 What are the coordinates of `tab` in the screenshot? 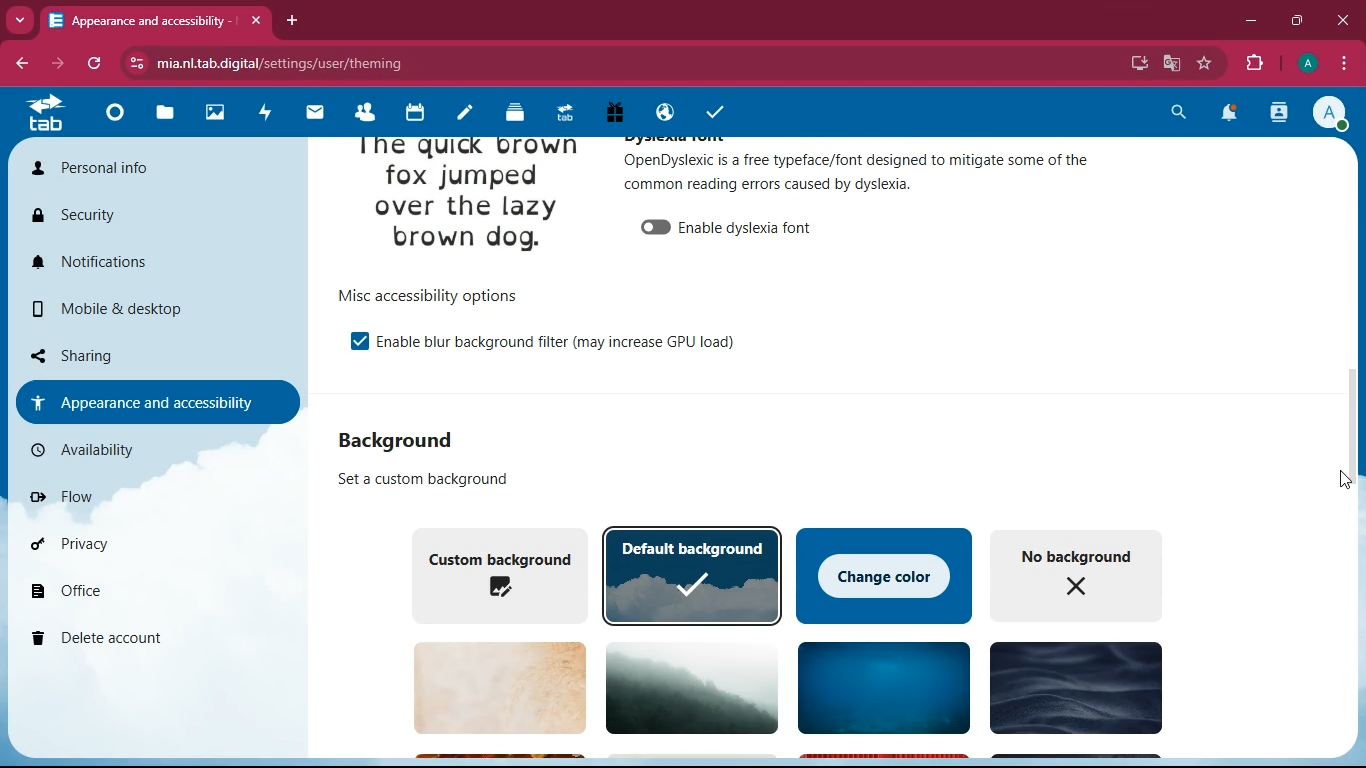 It's located at (156, 20).